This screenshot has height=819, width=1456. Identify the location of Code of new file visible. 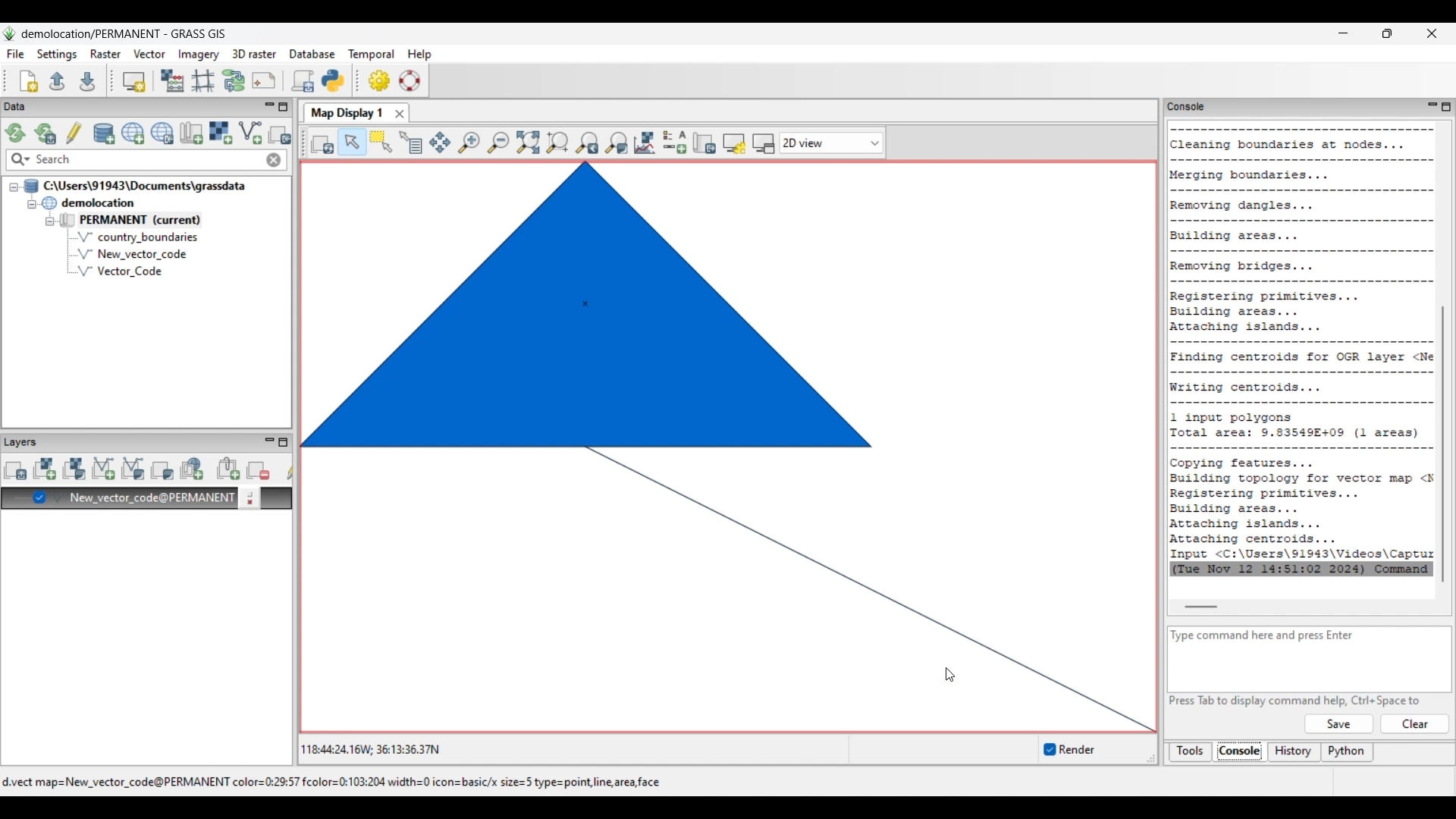
(1303, 349).